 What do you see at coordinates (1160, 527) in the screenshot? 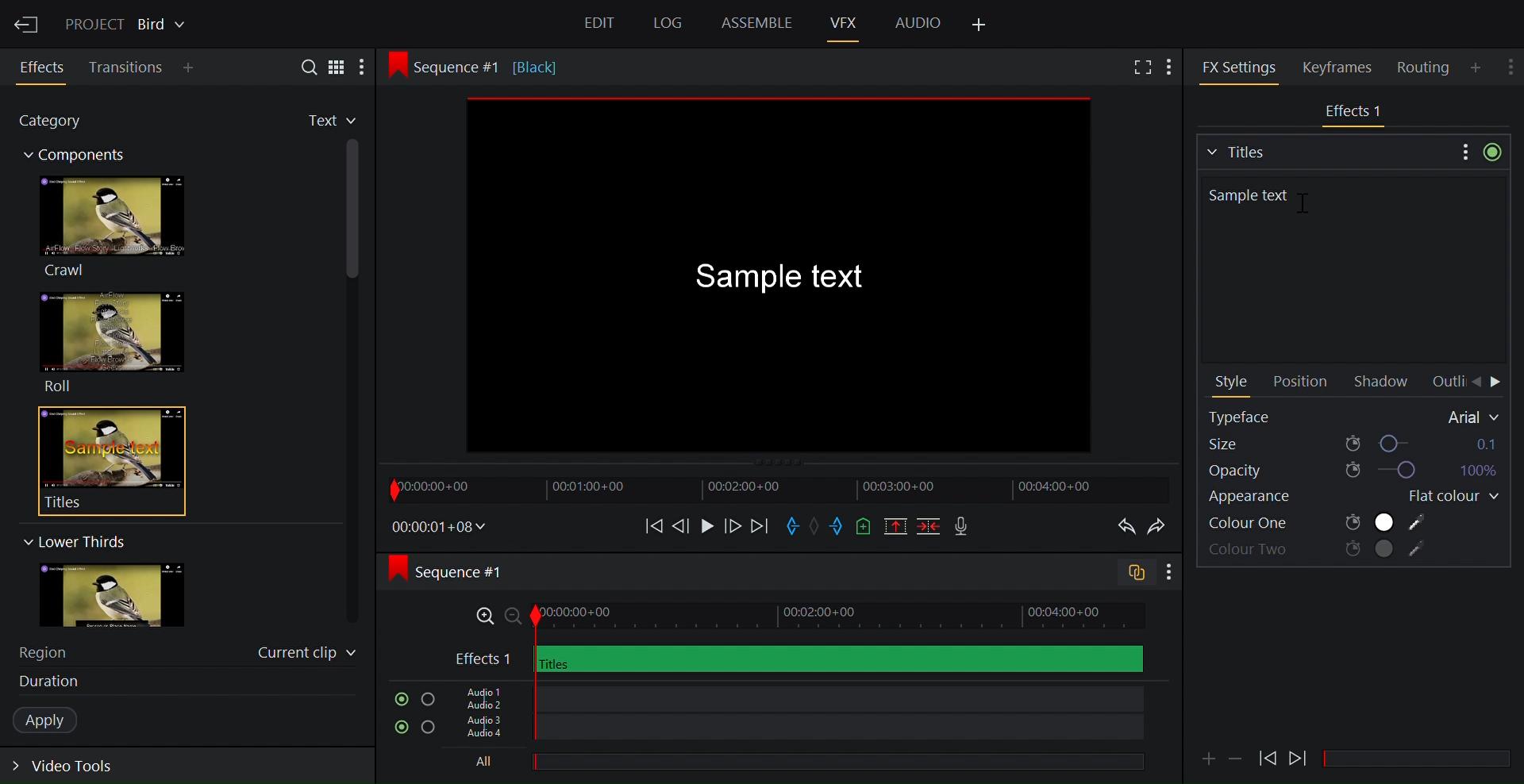
I see `Redo` at bounding box center [1160, 527].